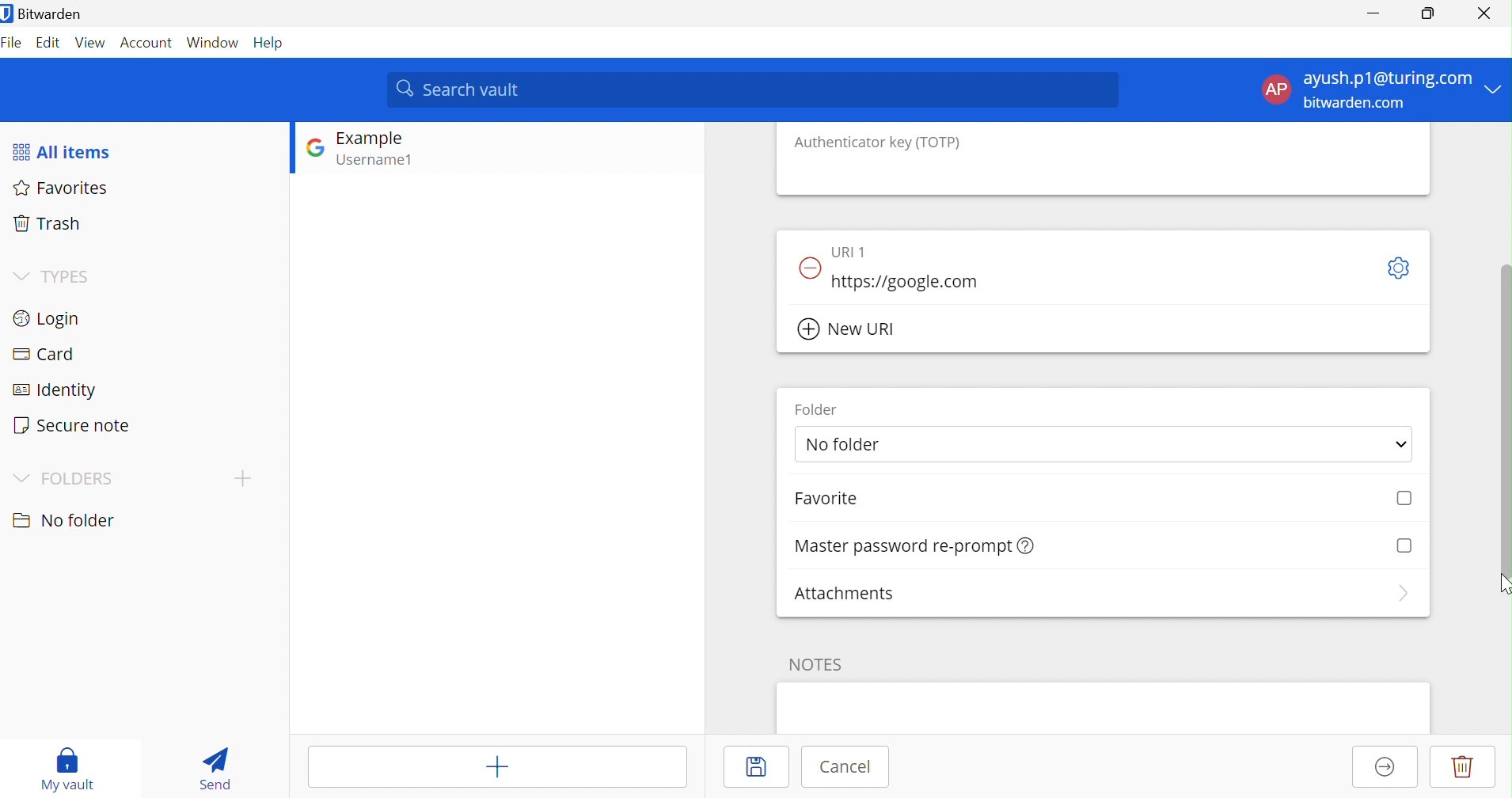  I want to click on Drop Down, so click(18, 475).